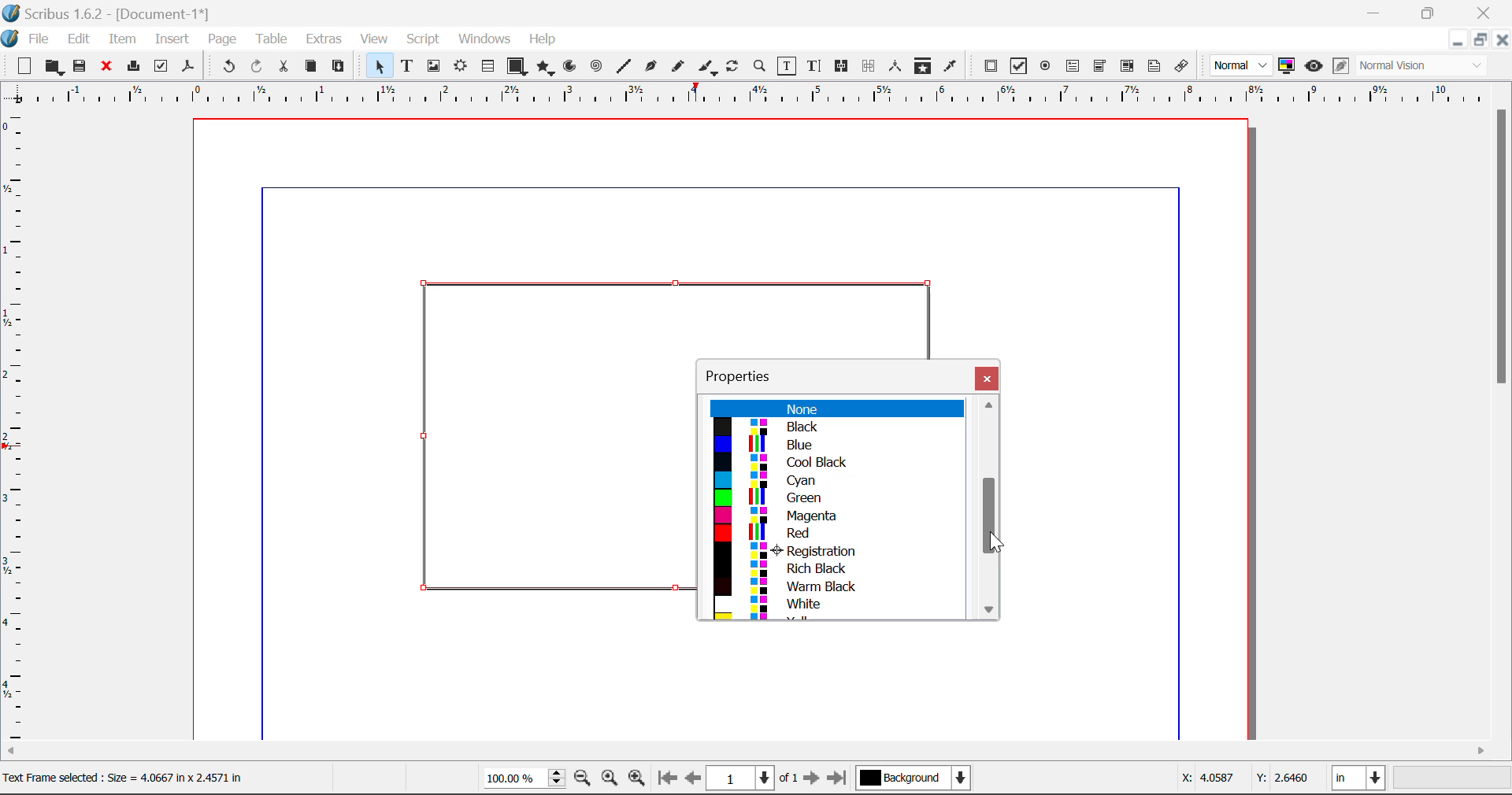 The height and width of the screenshot is (795, 1512). I want to click on Last Page, so click(839, 780).